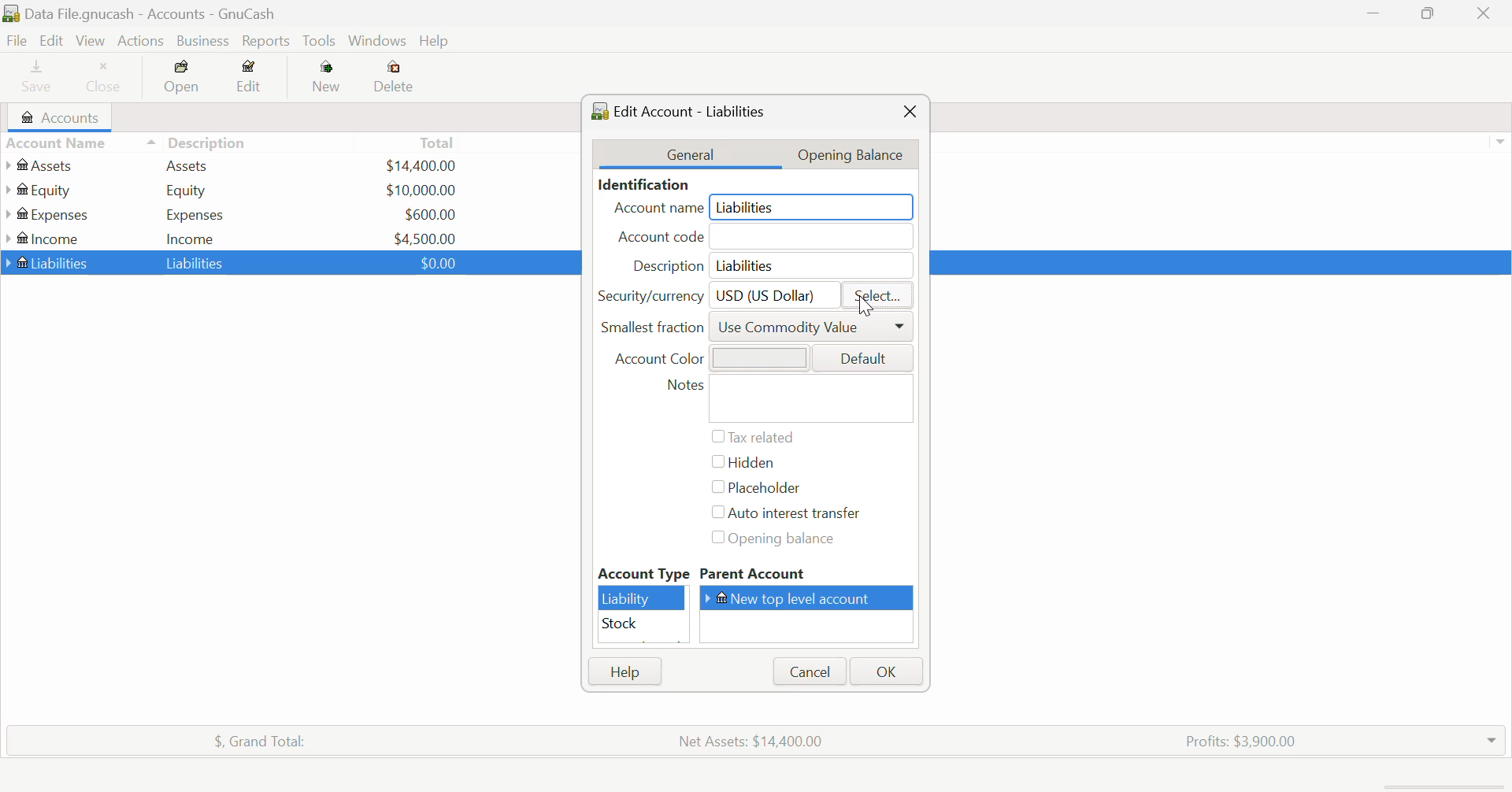 This screenshot has width=1512, height=792. What do you see at coordinates (183, 80) in the screenshot?
I see `Open` at bounding box center [183, 80].